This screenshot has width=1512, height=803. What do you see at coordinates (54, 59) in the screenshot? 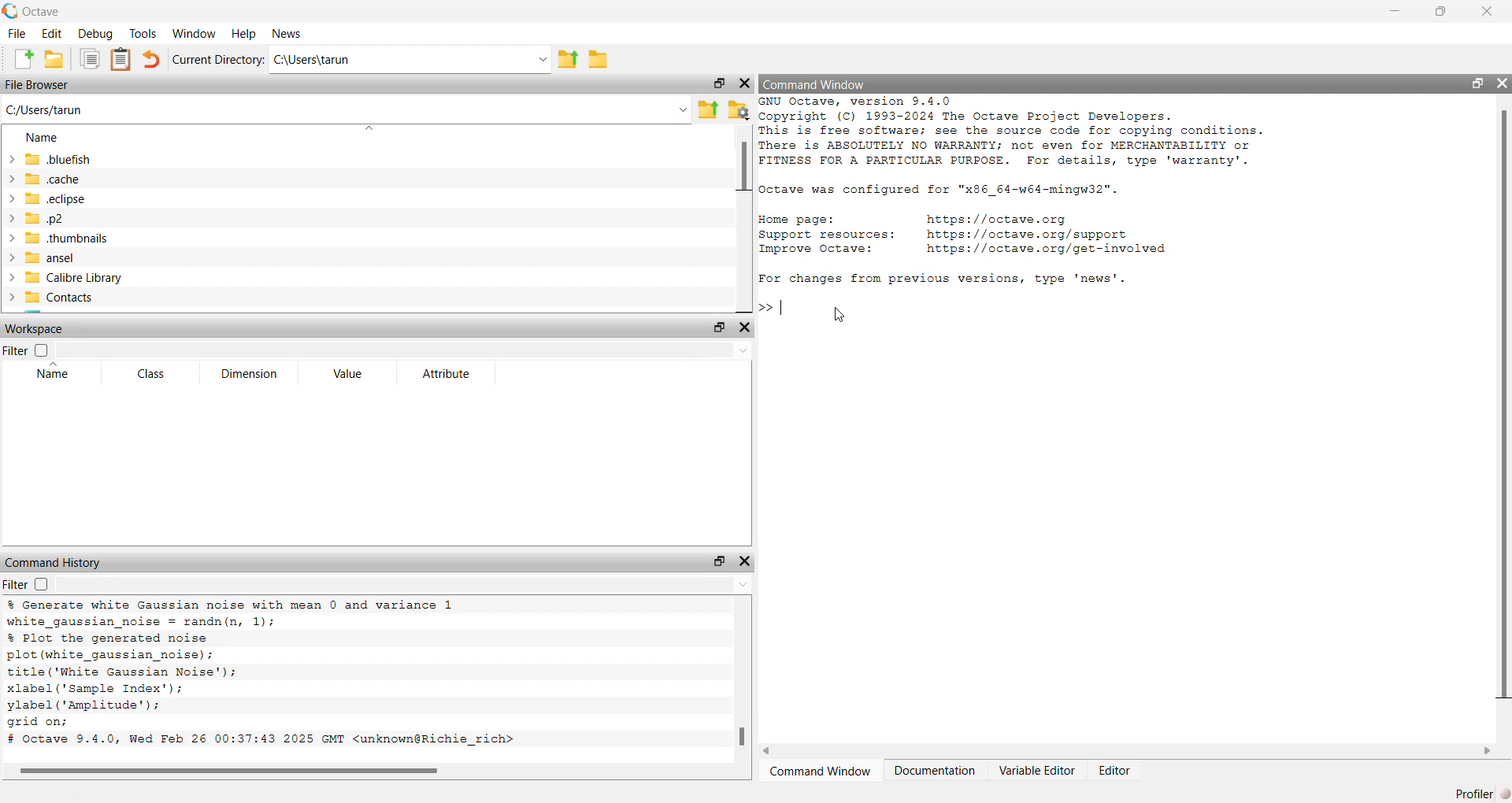
I see `open folder` at bounding box center [54, 59].